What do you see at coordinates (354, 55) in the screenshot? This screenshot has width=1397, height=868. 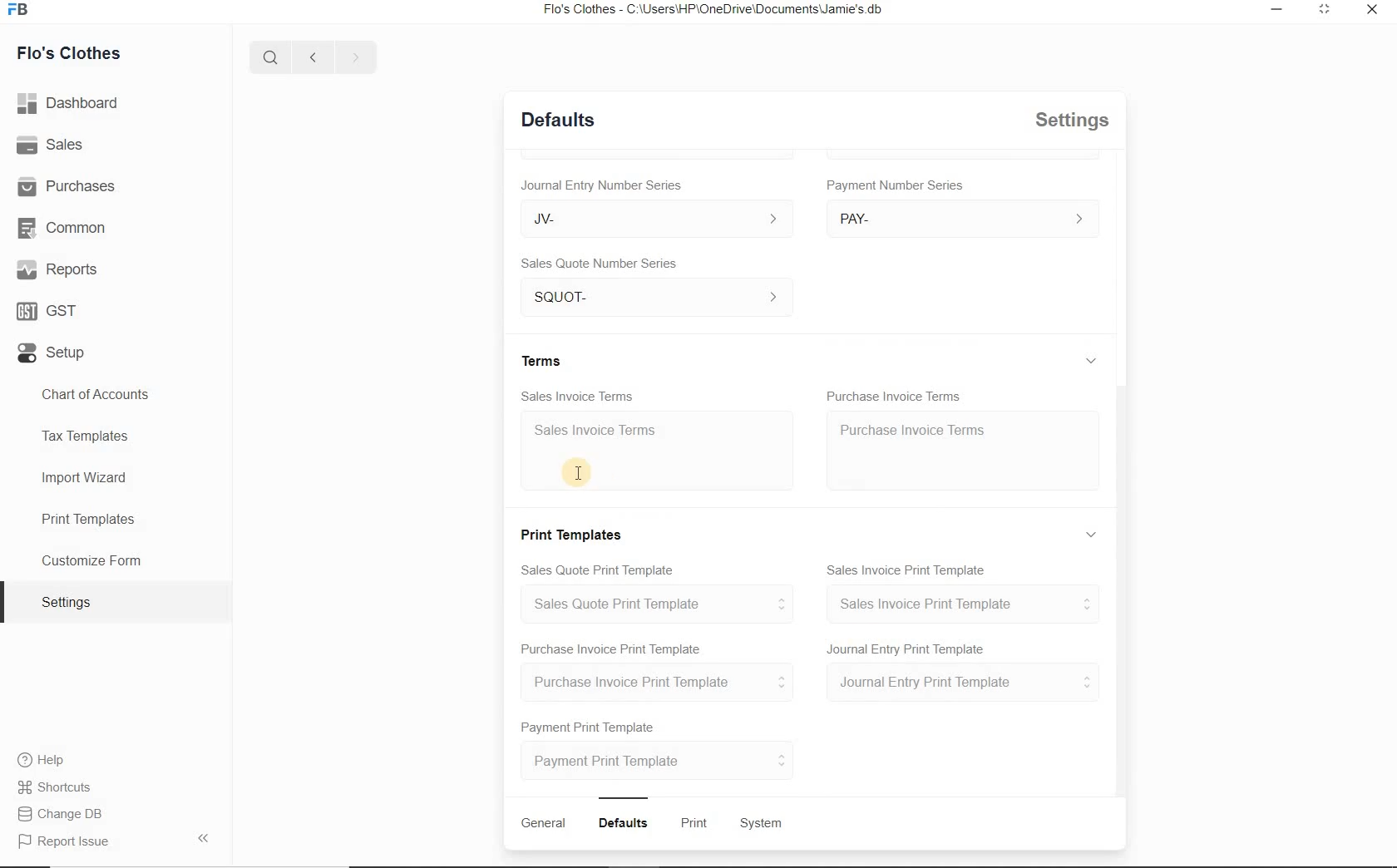 I see `Forward` at bounding box center [354, 55].